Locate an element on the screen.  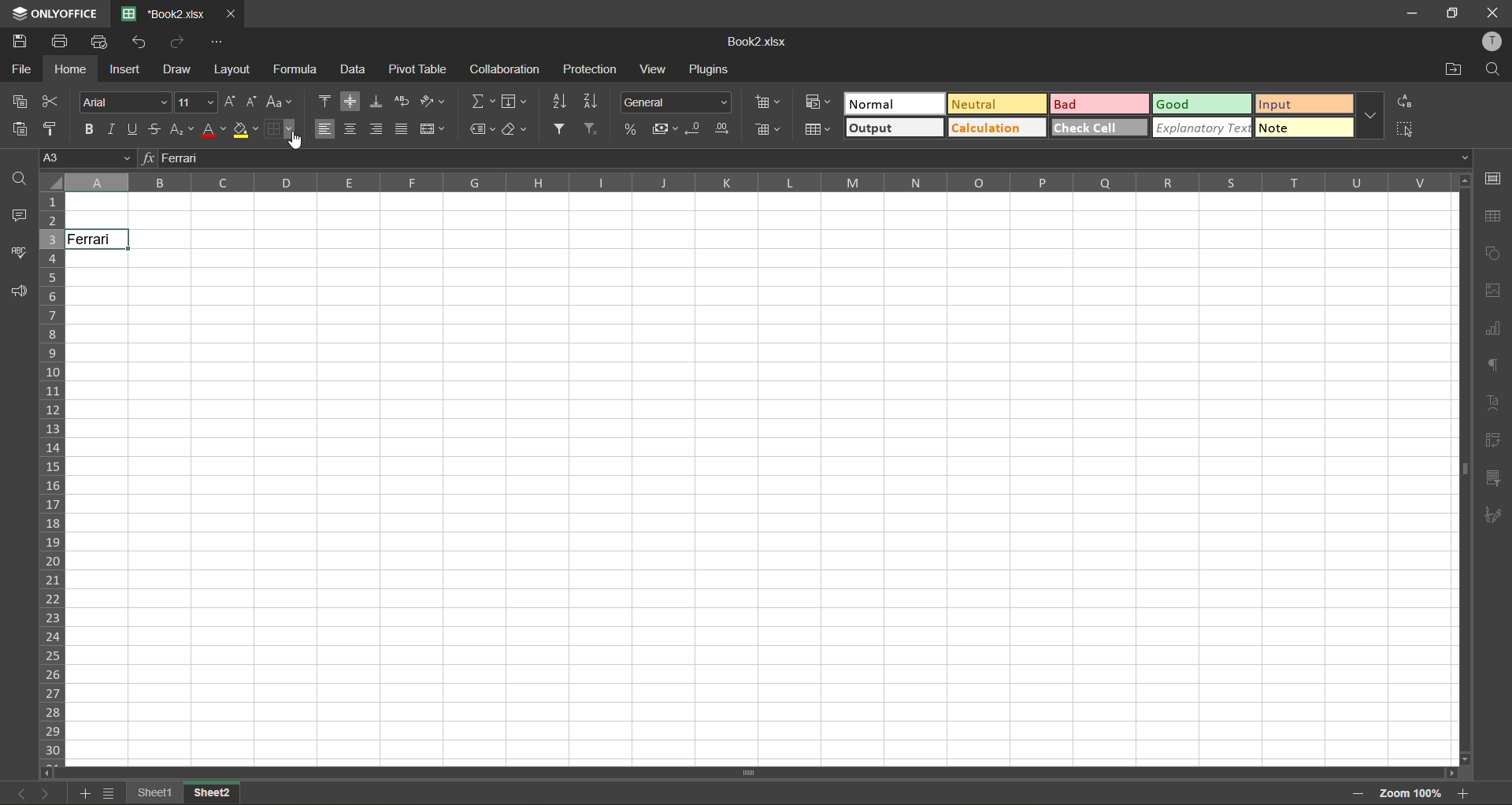
save is located at coordinates (21, 42).